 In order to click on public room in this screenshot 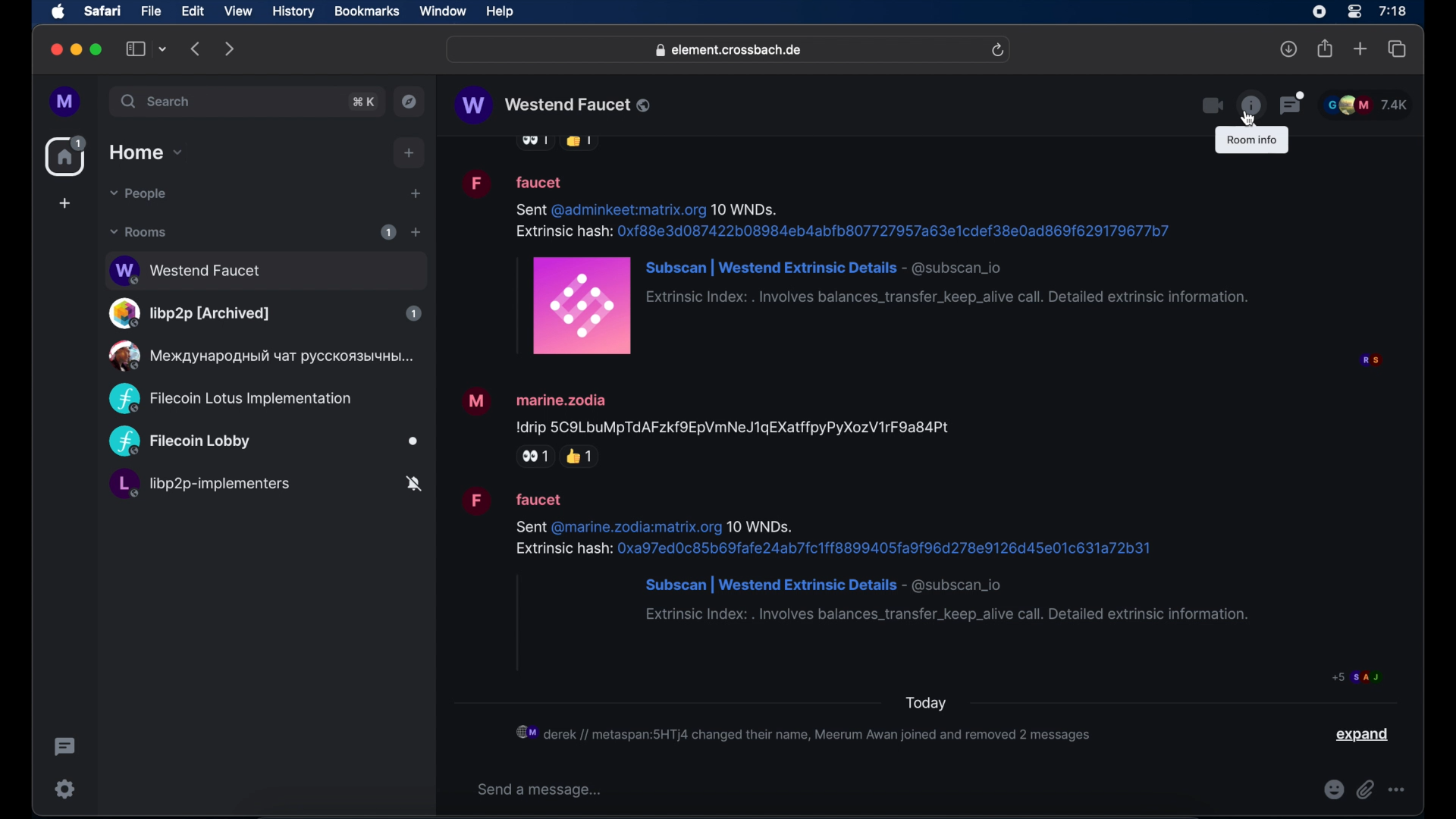, I will do `click(265, 486)`.